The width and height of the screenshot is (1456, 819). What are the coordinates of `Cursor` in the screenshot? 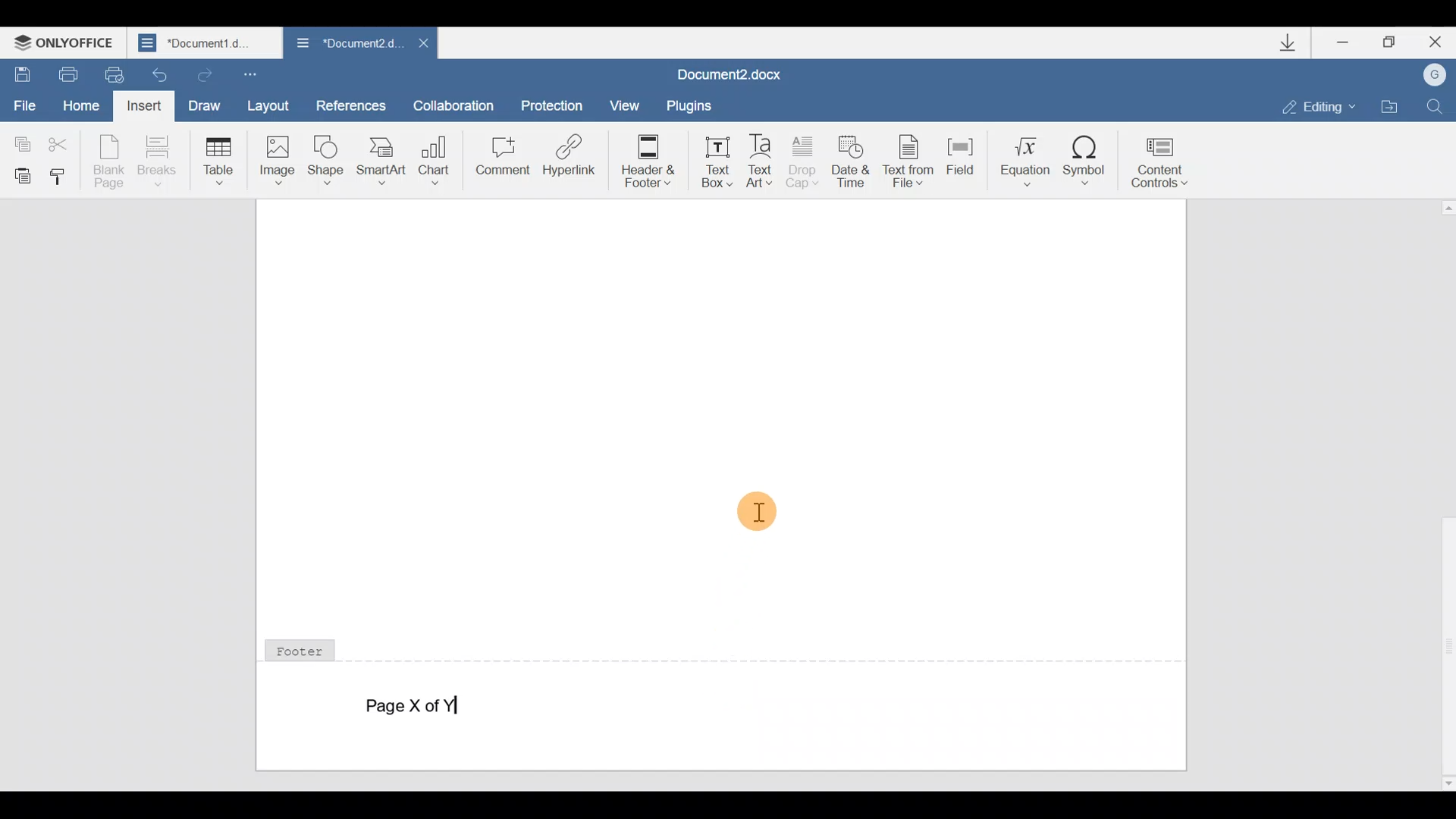 It's located at (758, 513).